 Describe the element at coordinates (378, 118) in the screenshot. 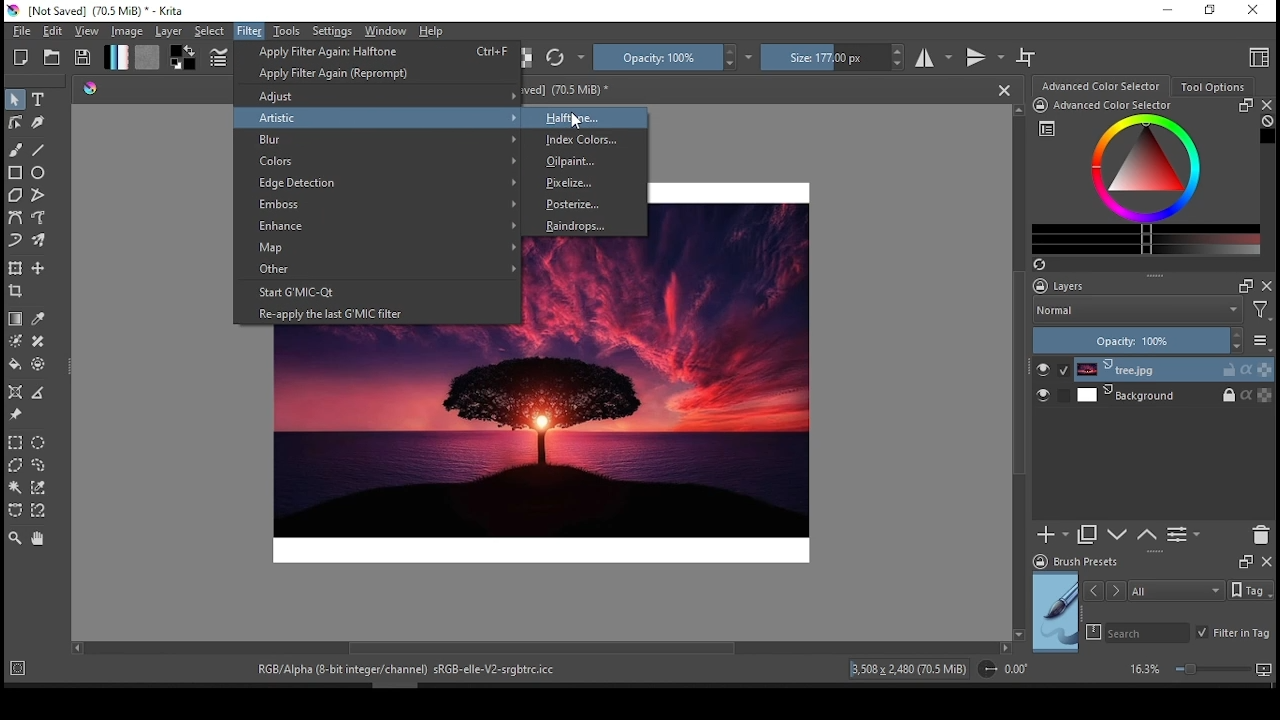

I see `artistic` at that location.